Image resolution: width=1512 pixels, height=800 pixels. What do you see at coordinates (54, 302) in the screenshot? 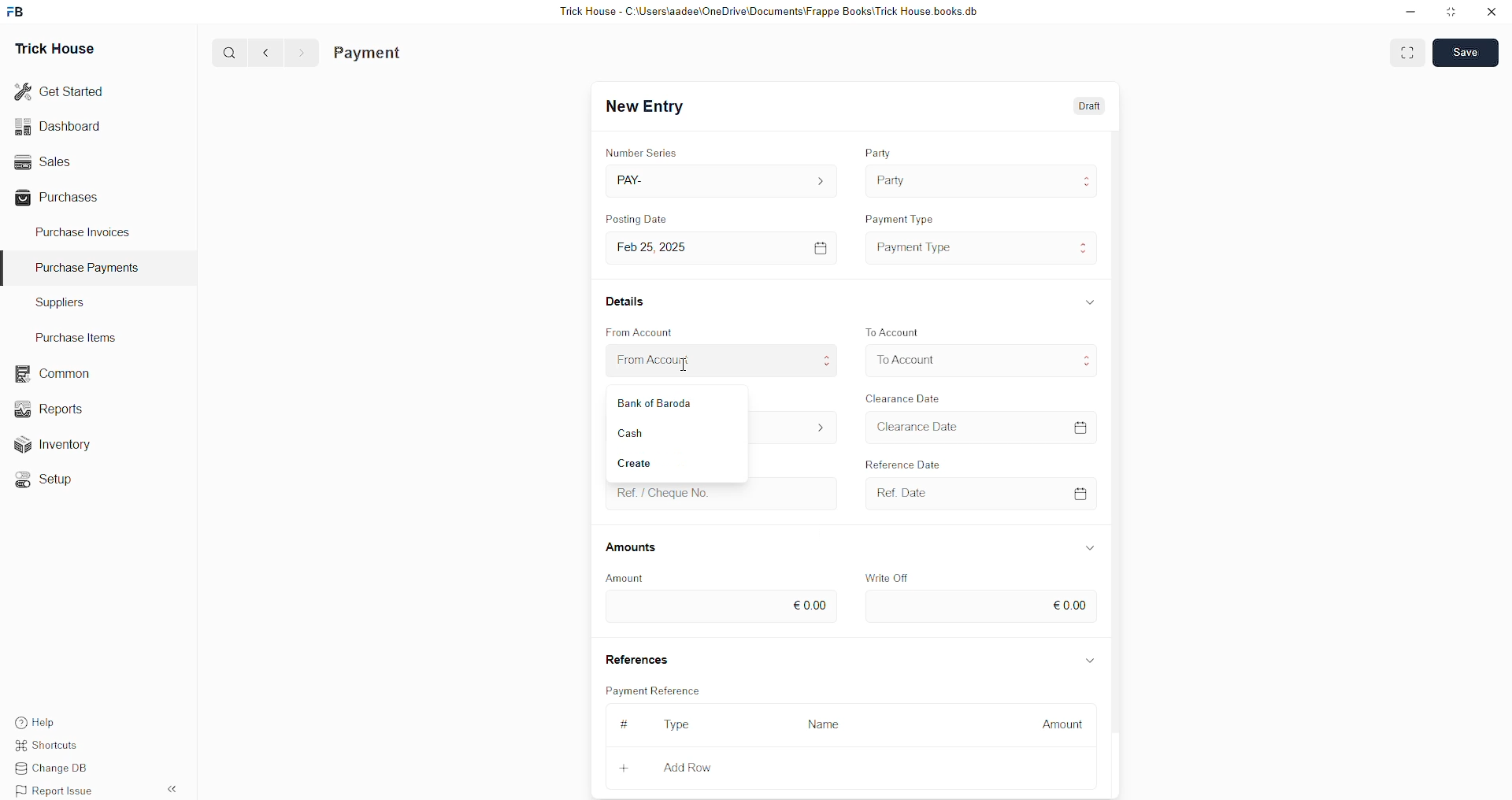
I see `Suppliers` at bounding box center [54, 302].